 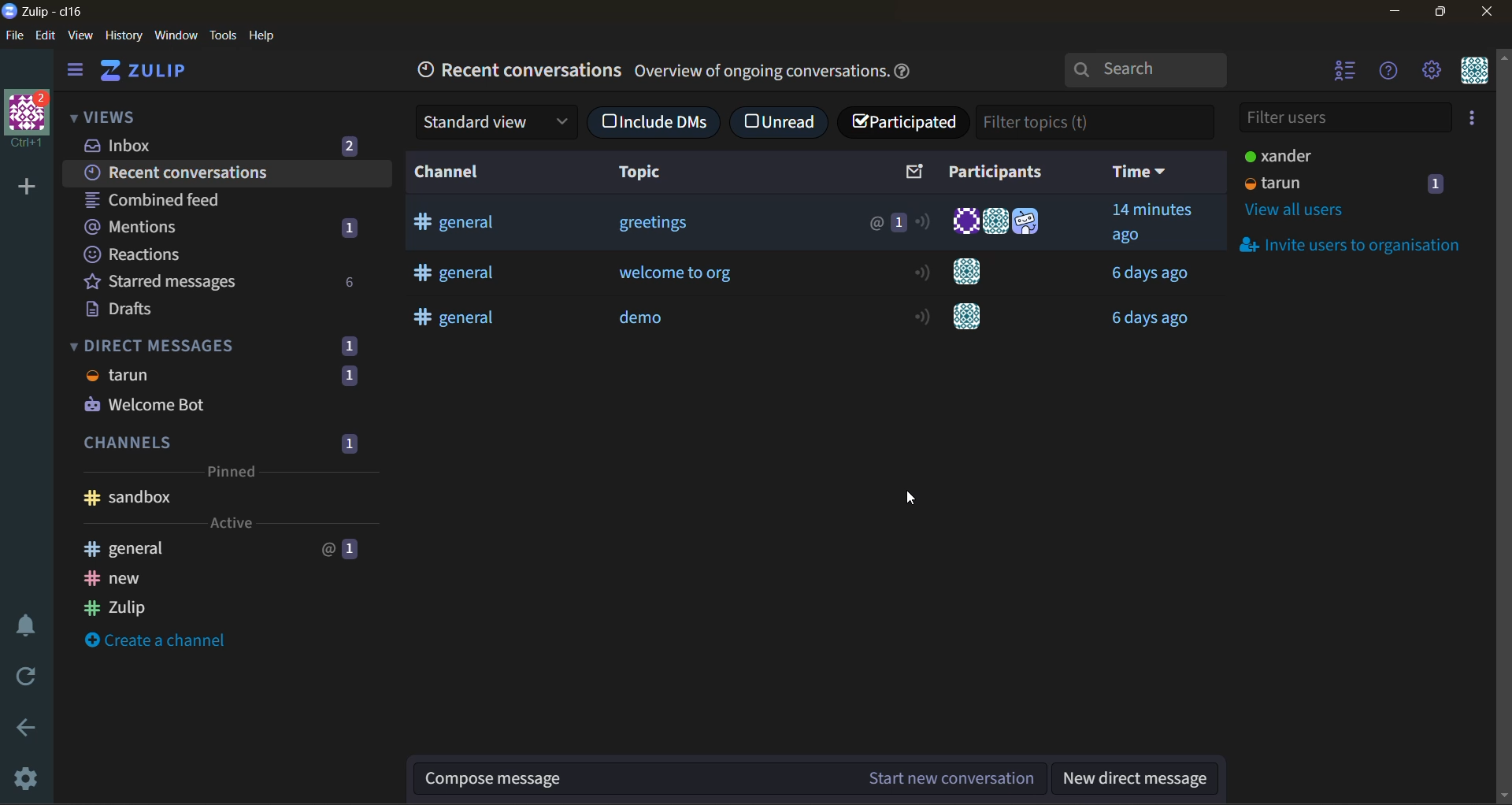 What do you see at coordinates (160, 641) in the screenshot?
I see `create a channel` at bounding box center [160, 641].